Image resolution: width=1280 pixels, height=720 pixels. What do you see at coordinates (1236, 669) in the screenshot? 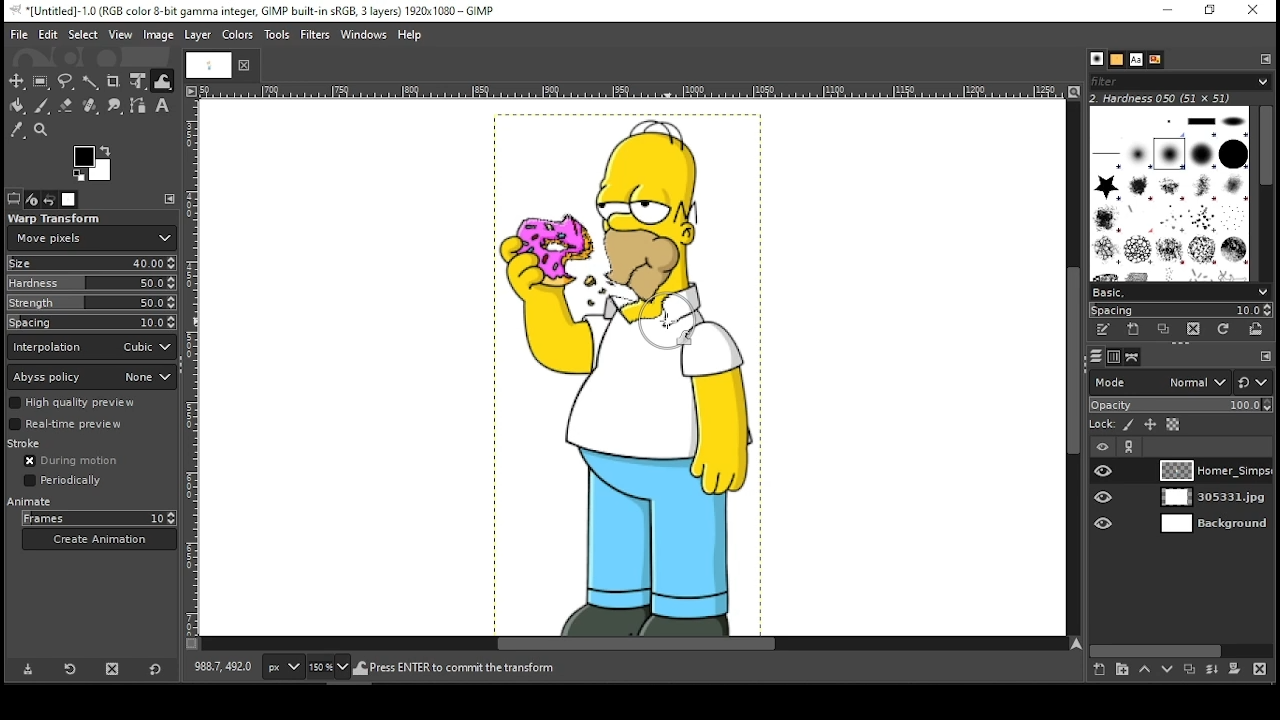
I see `add mask` at bounding box center [1236, 669].